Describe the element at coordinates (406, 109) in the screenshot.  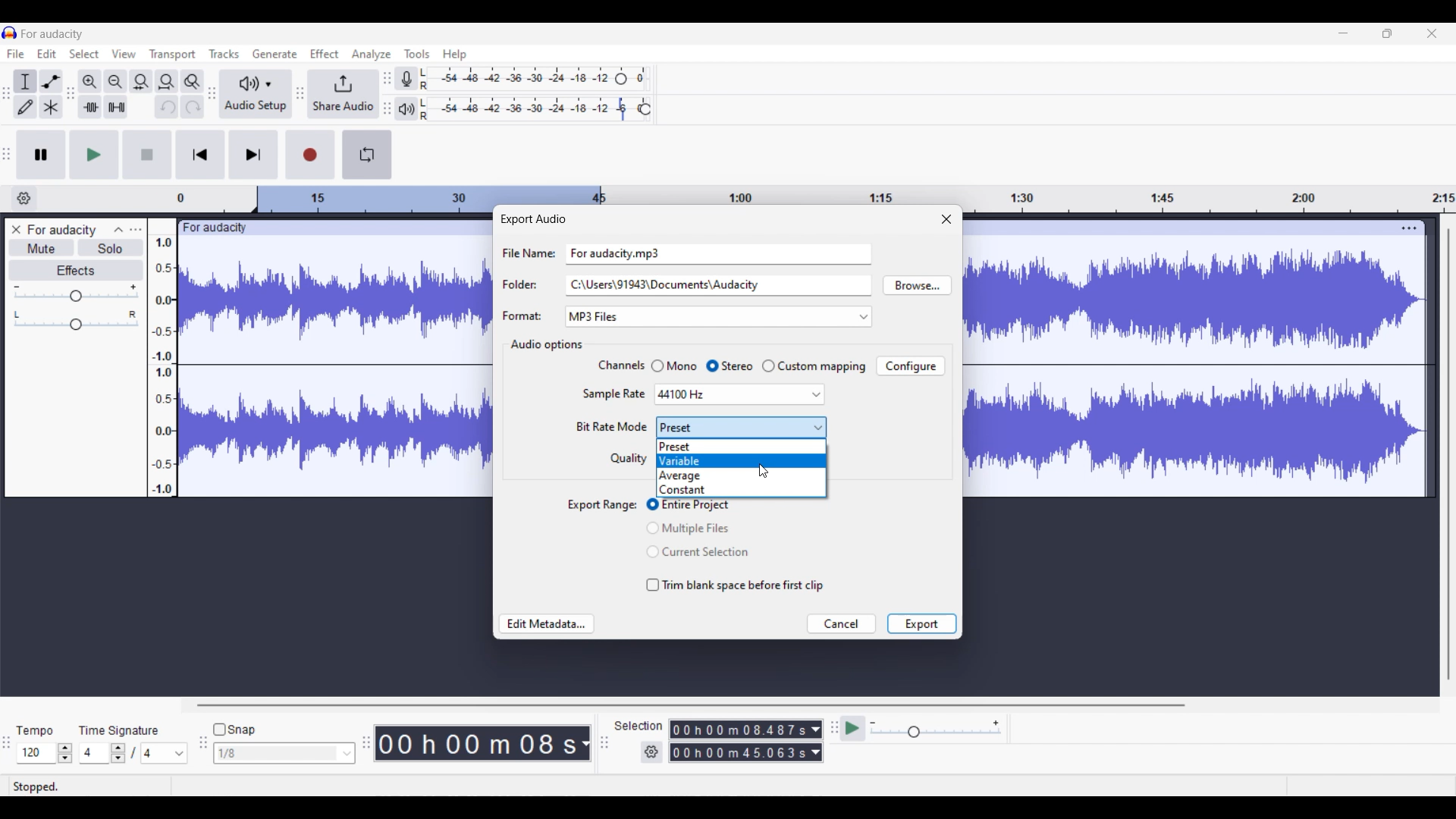
I see `Playback meter` at that location.